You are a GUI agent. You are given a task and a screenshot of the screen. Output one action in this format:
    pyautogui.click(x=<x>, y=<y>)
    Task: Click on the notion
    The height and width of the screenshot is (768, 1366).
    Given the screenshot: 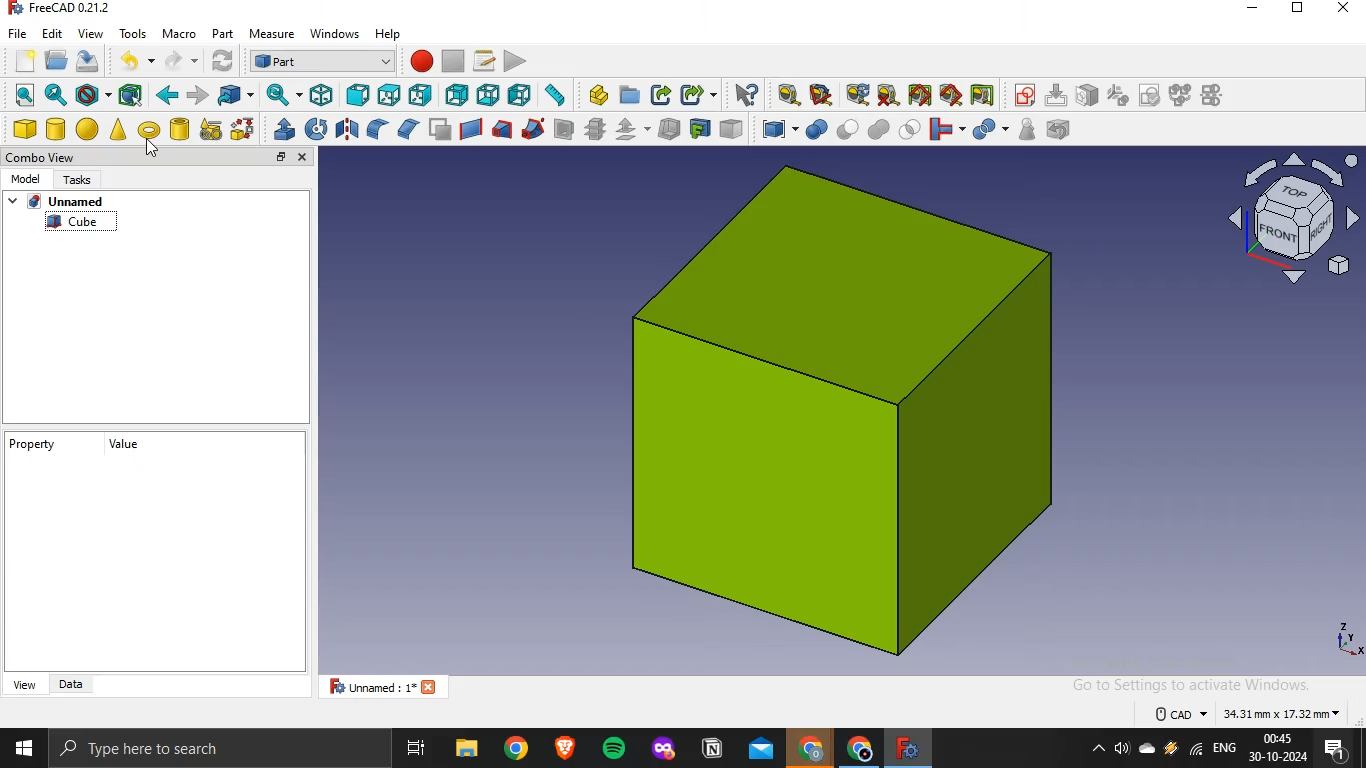 What is the action you would take?
    pyautogui.click(x=713, y=748)
    